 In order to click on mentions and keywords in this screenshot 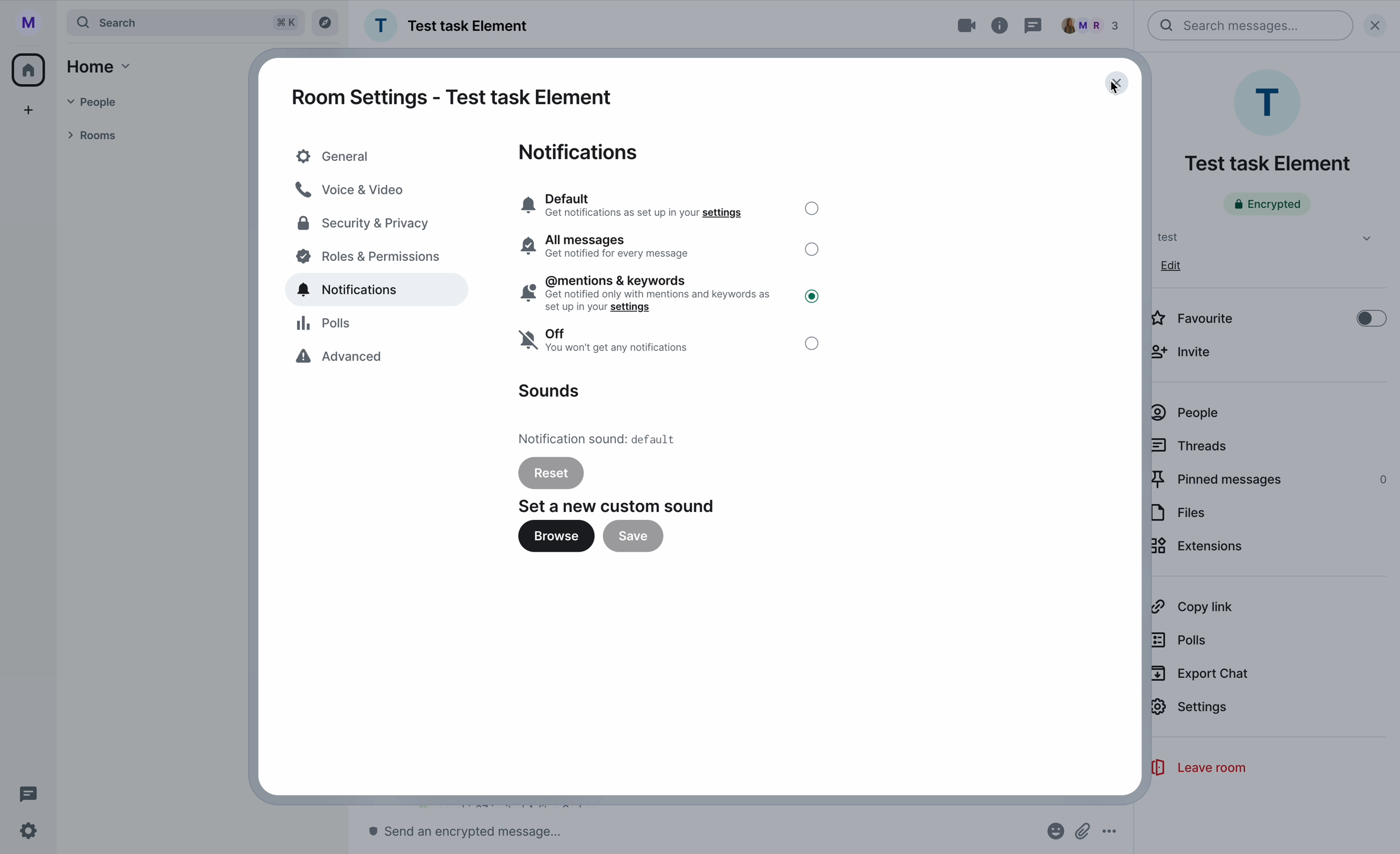, I will do `click(671, 293)`.